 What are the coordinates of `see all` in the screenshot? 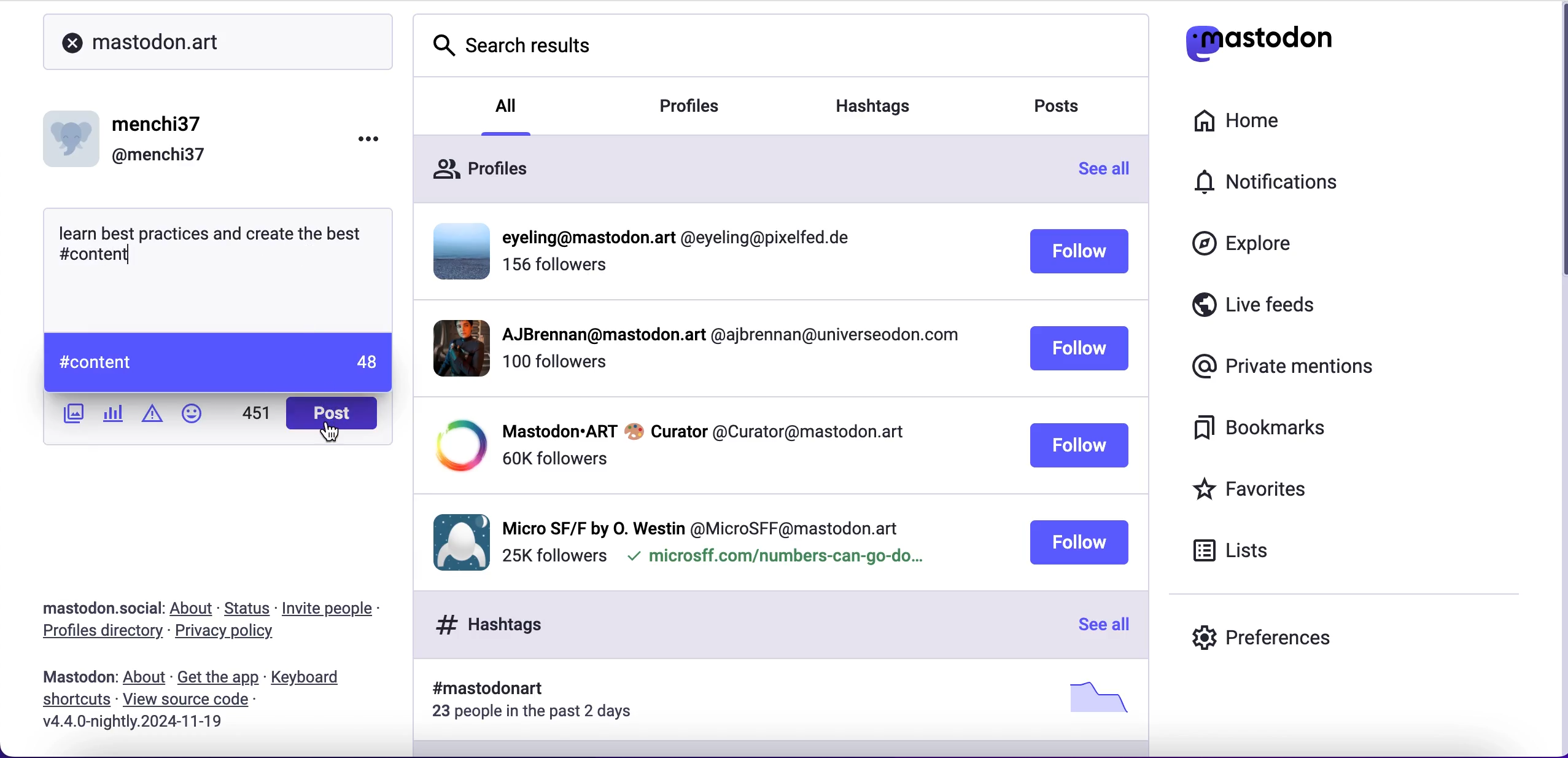 It's located at (1111, 173).